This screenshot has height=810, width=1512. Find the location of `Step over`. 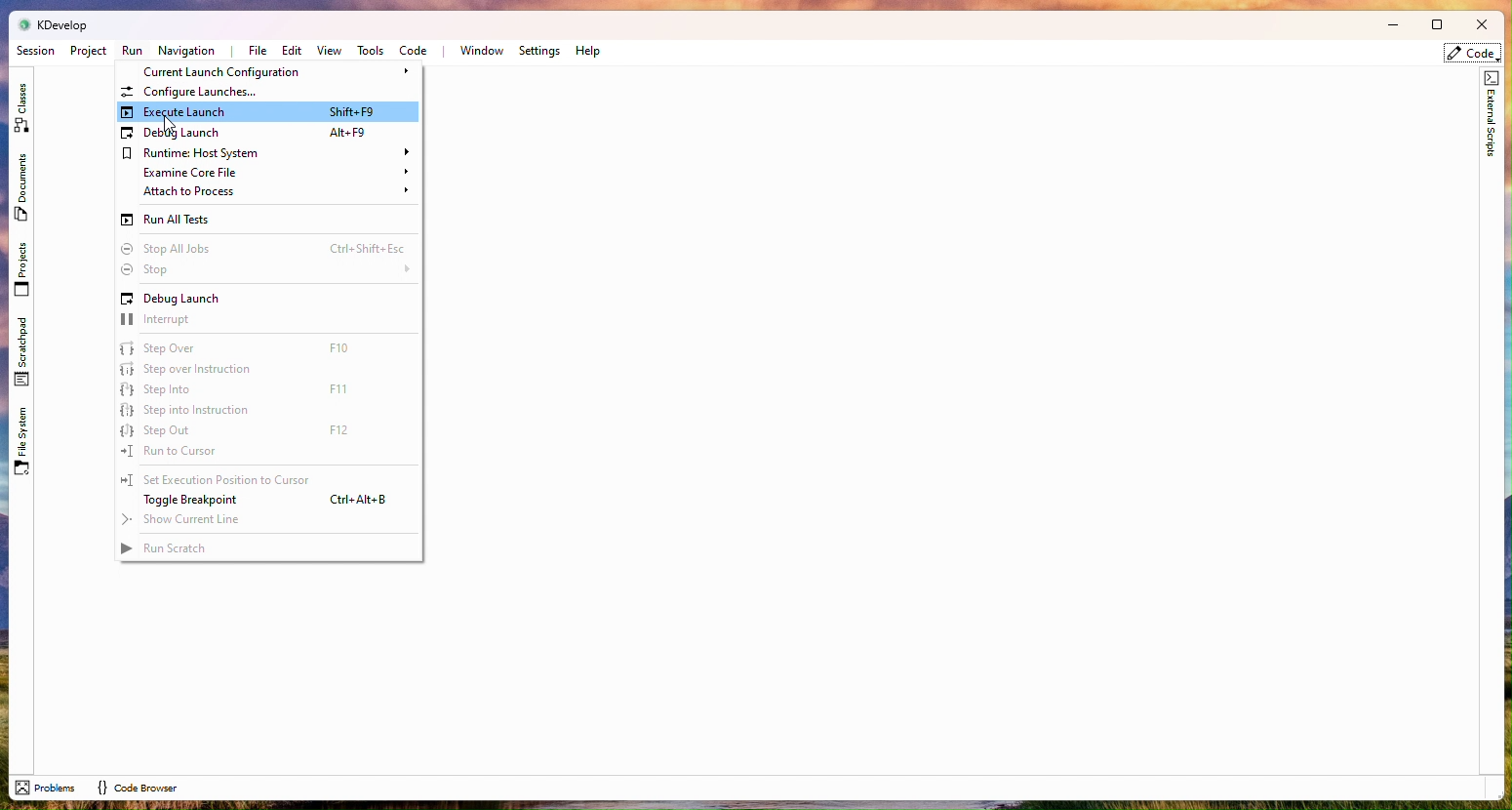

Step over is located at coordinates (242, 347).